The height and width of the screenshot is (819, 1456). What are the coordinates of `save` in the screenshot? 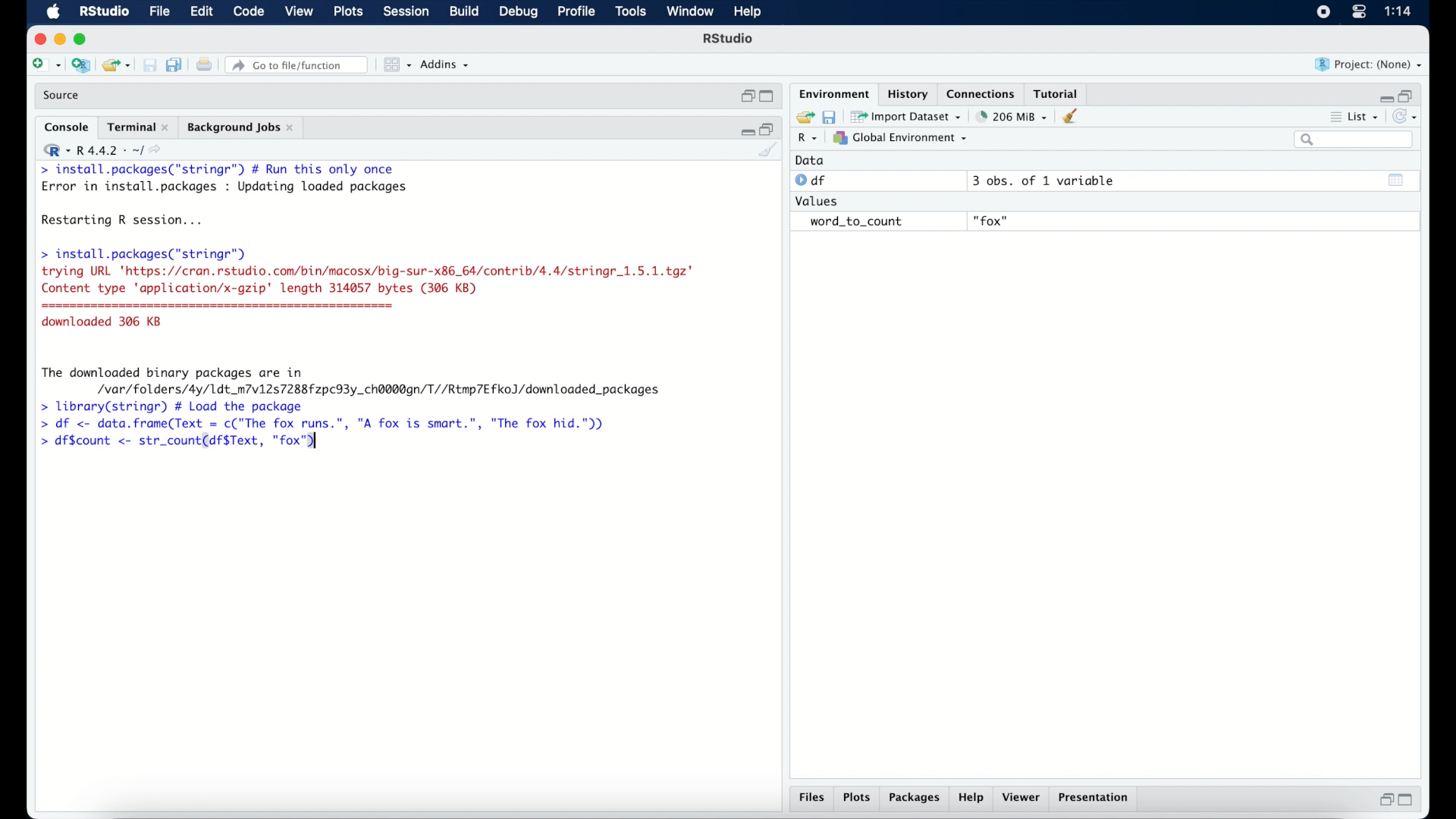 It's located at (152, 66).